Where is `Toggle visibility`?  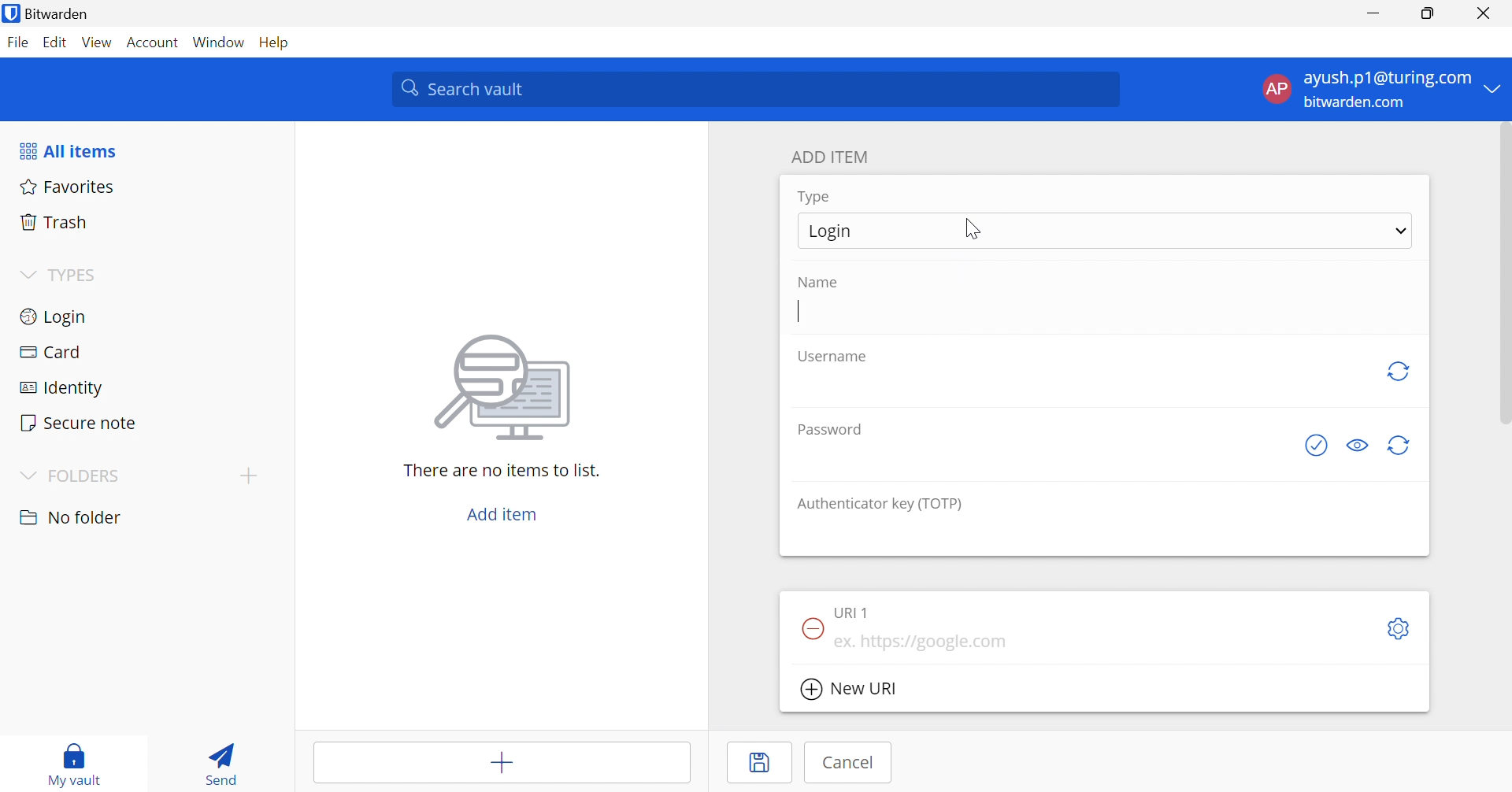
Toggle visibility is located at coordinates (1360, 446).